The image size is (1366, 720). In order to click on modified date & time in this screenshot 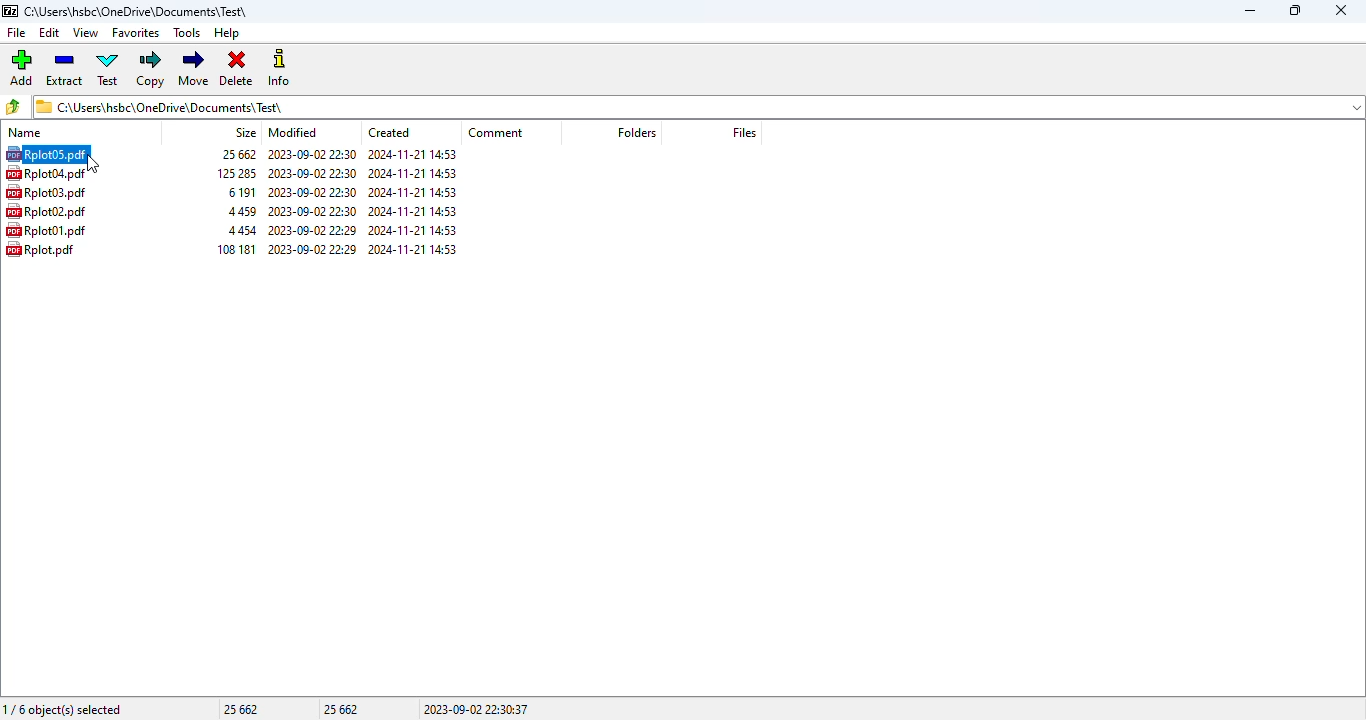, I will do `click(312, 192)`.